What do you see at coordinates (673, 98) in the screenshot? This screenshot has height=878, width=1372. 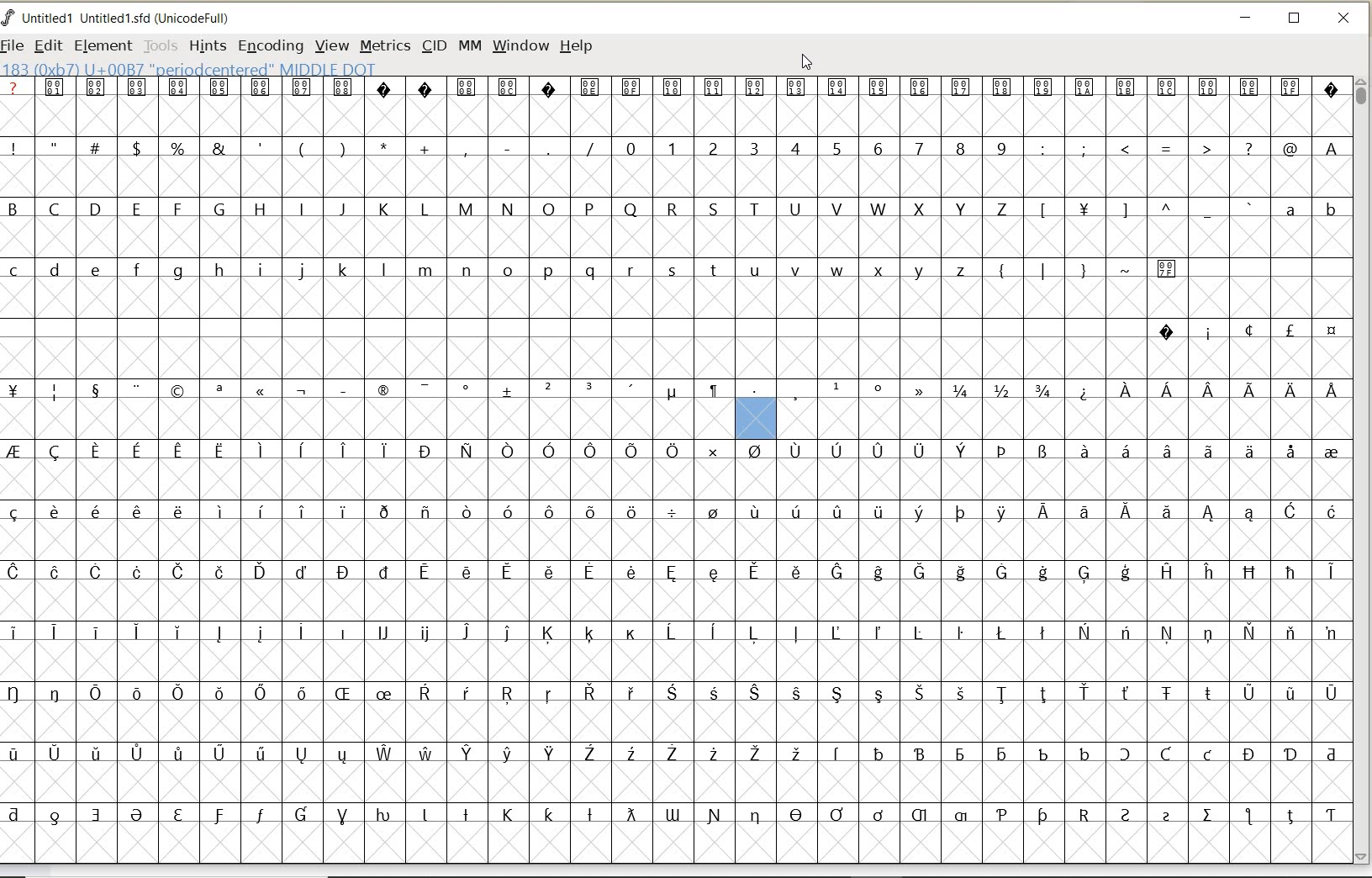 I see `special characters` at bounding box center [673, 98].